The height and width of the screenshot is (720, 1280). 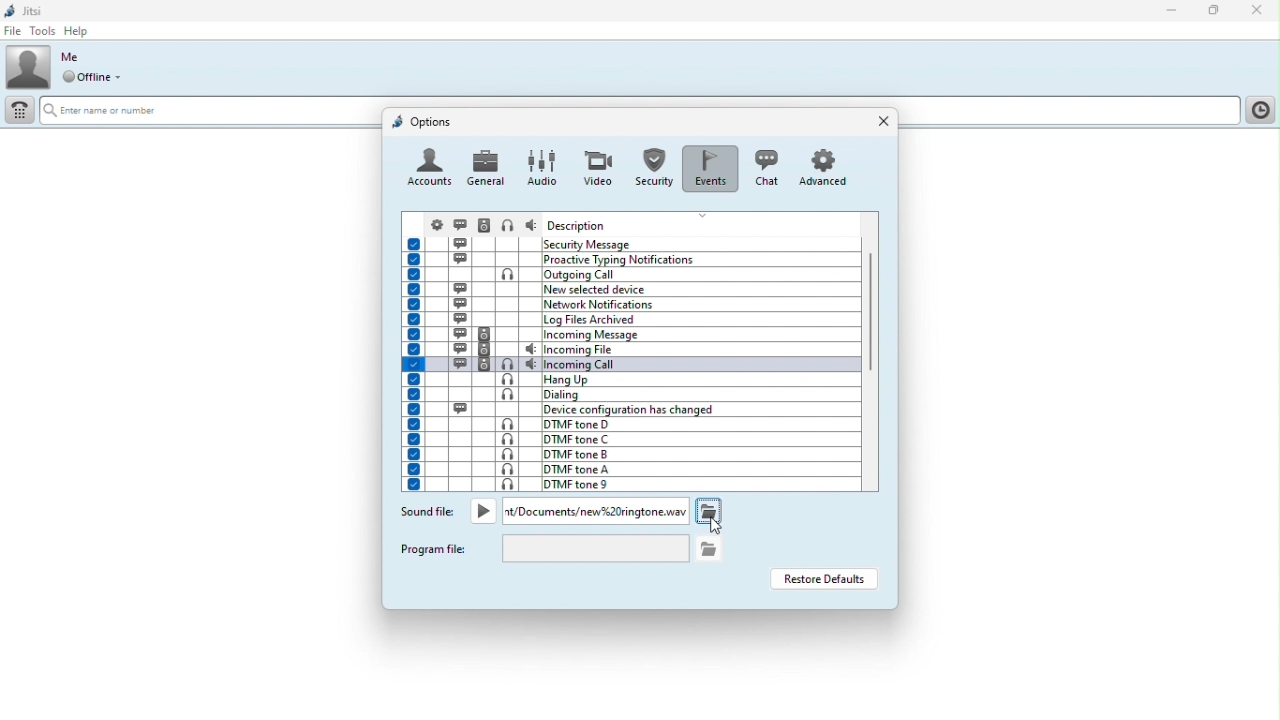 What do you see at coordinates (540, 166) in the screenshot?
I see `Audio` at bounding box center [540, 166].